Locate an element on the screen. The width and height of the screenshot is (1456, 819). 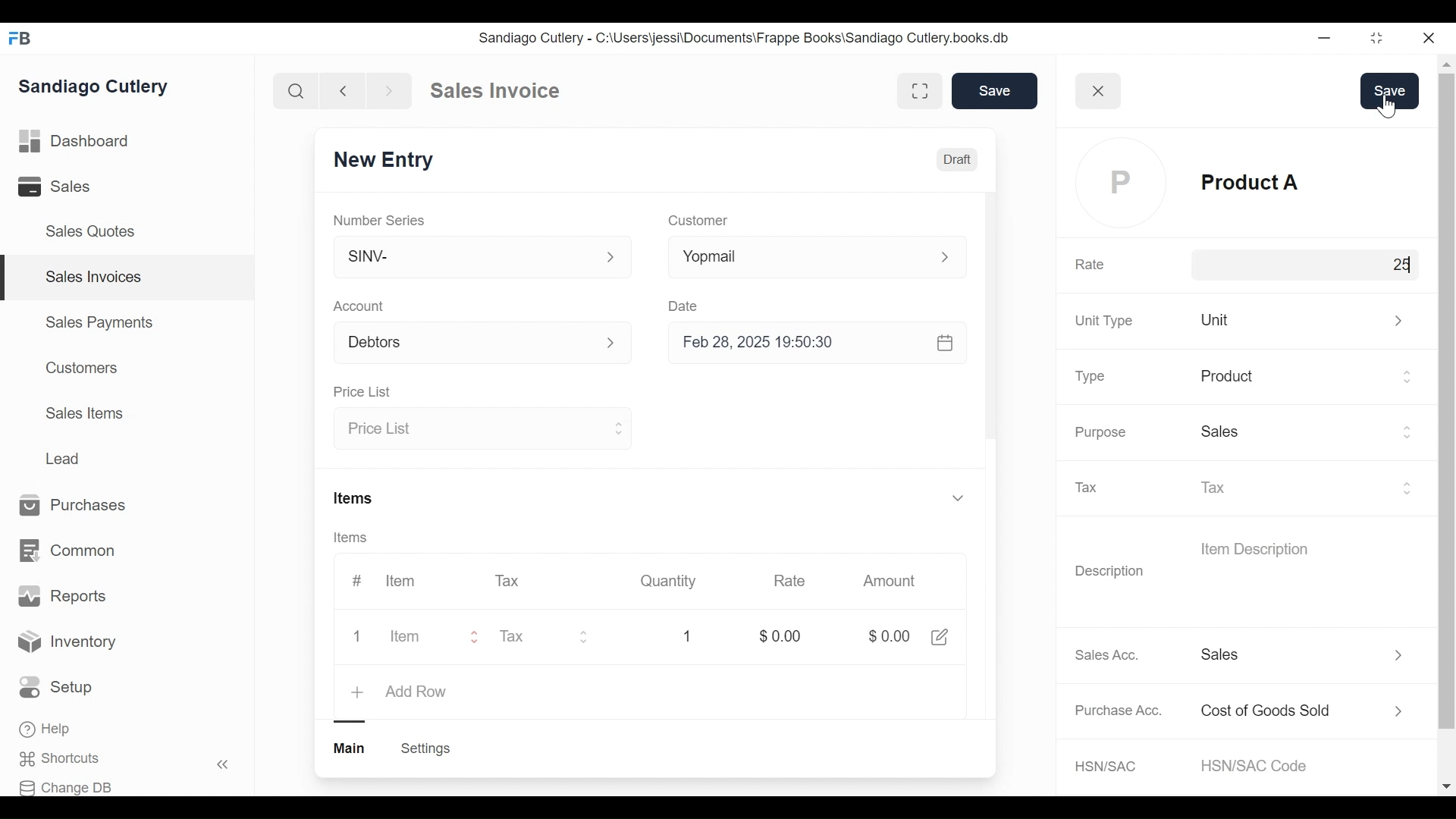
share is located at coordinates (940, 635).